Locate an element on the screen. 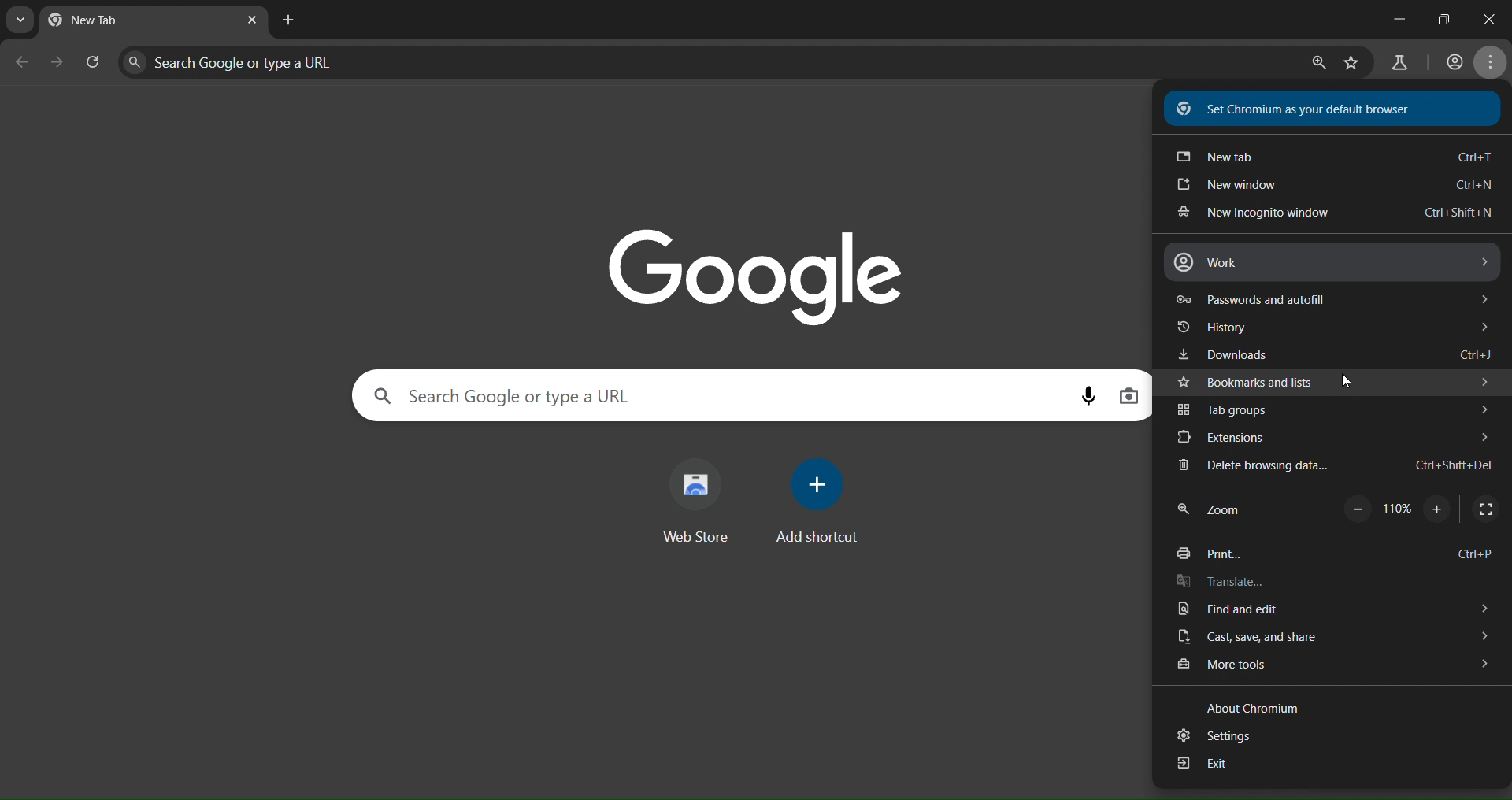  image search is located at coordinates (1132, 395).